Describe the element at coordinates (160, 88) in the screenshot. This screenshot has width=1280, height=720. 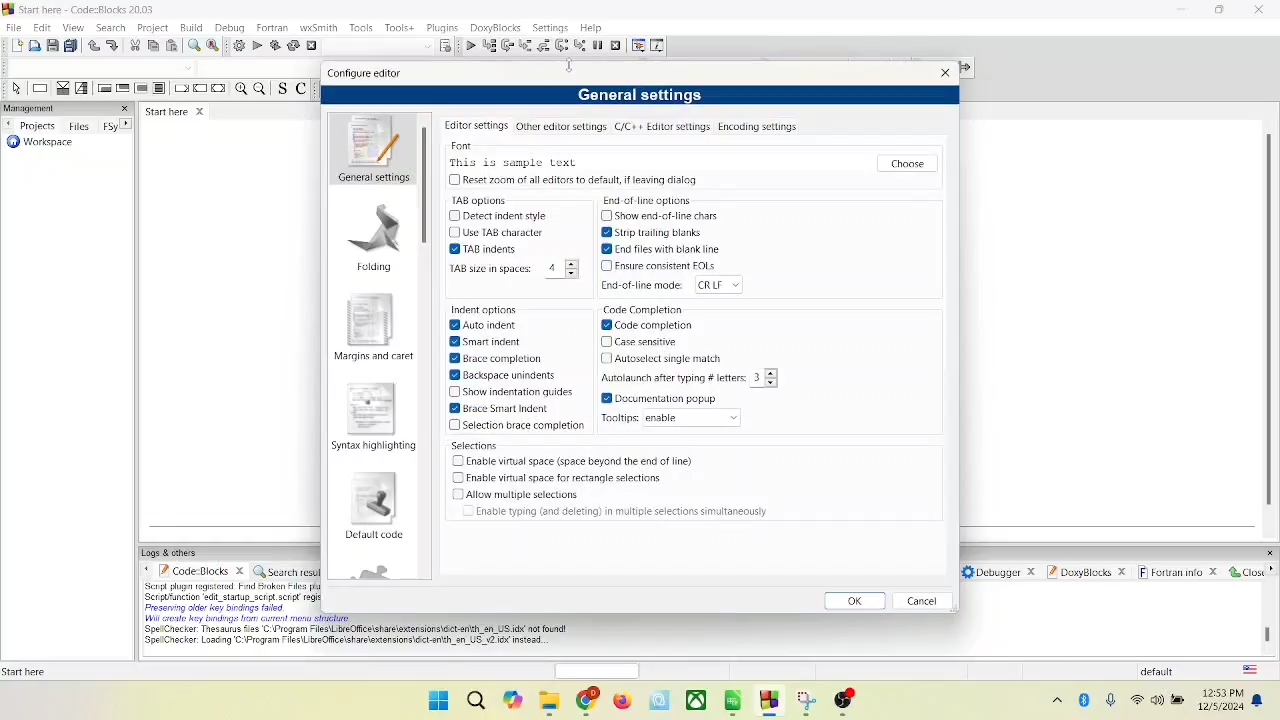
I see `block instruction` at that location.